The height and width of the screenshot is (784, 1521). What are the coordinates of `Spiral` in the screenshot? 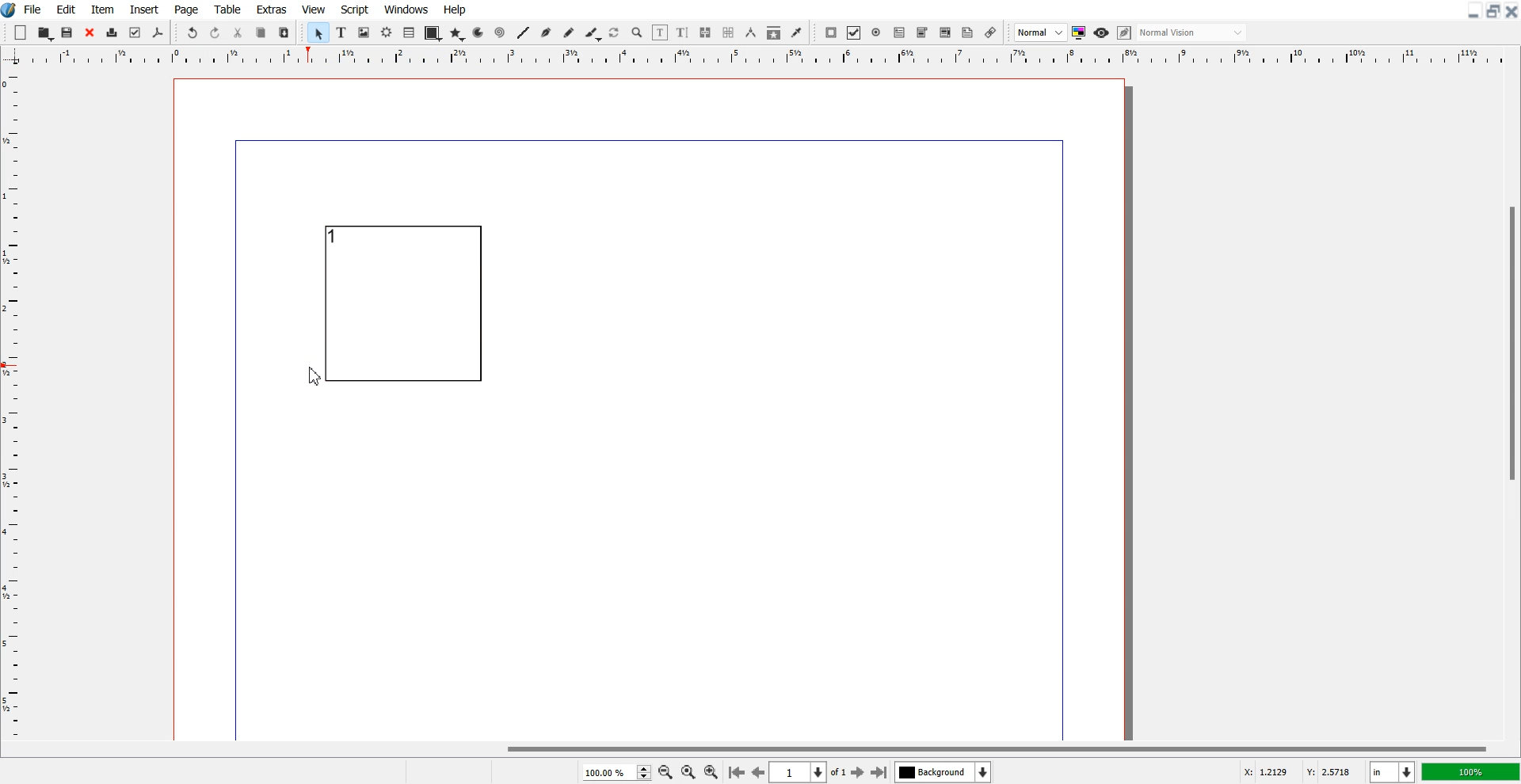 It's located at (499, 33).